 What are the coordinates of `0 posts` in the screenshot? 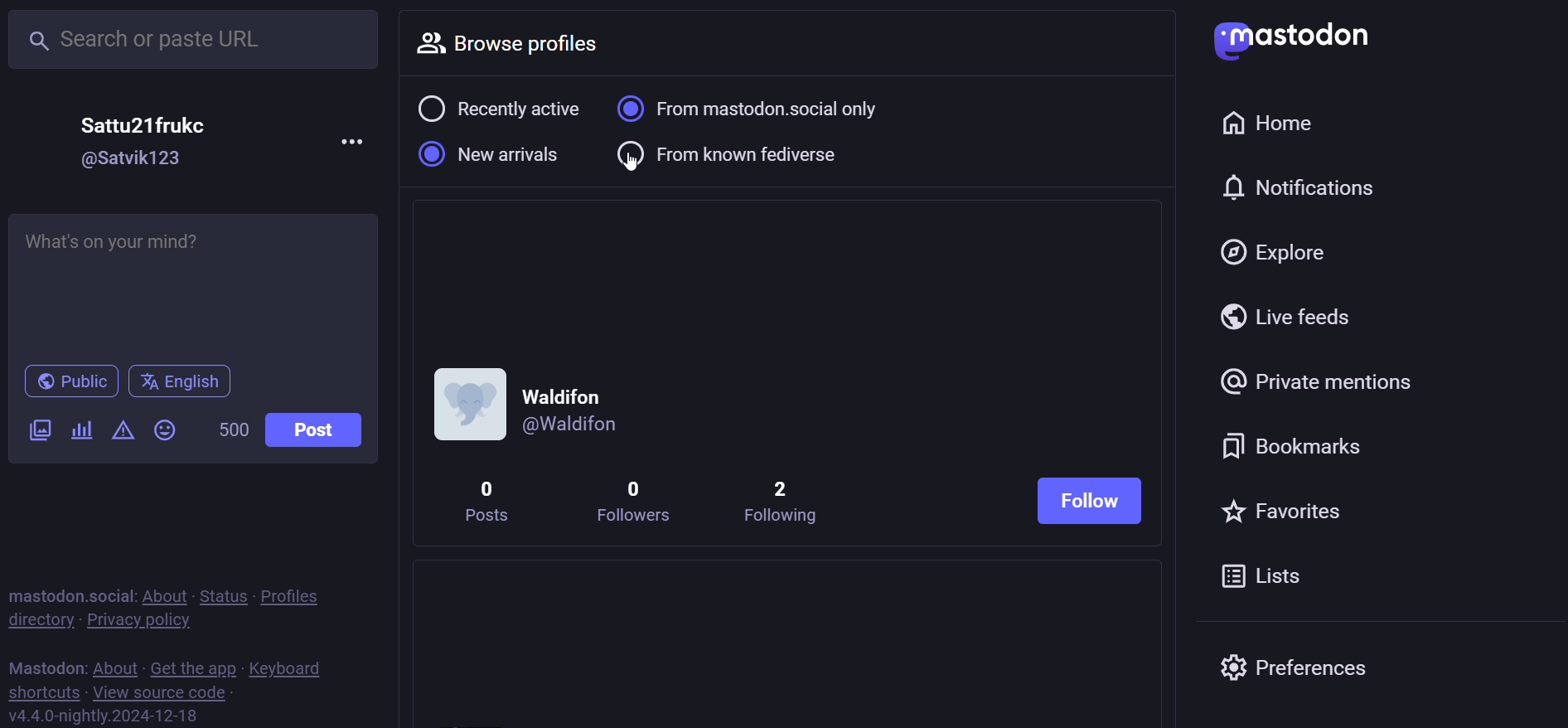 It's located at (492, 502).